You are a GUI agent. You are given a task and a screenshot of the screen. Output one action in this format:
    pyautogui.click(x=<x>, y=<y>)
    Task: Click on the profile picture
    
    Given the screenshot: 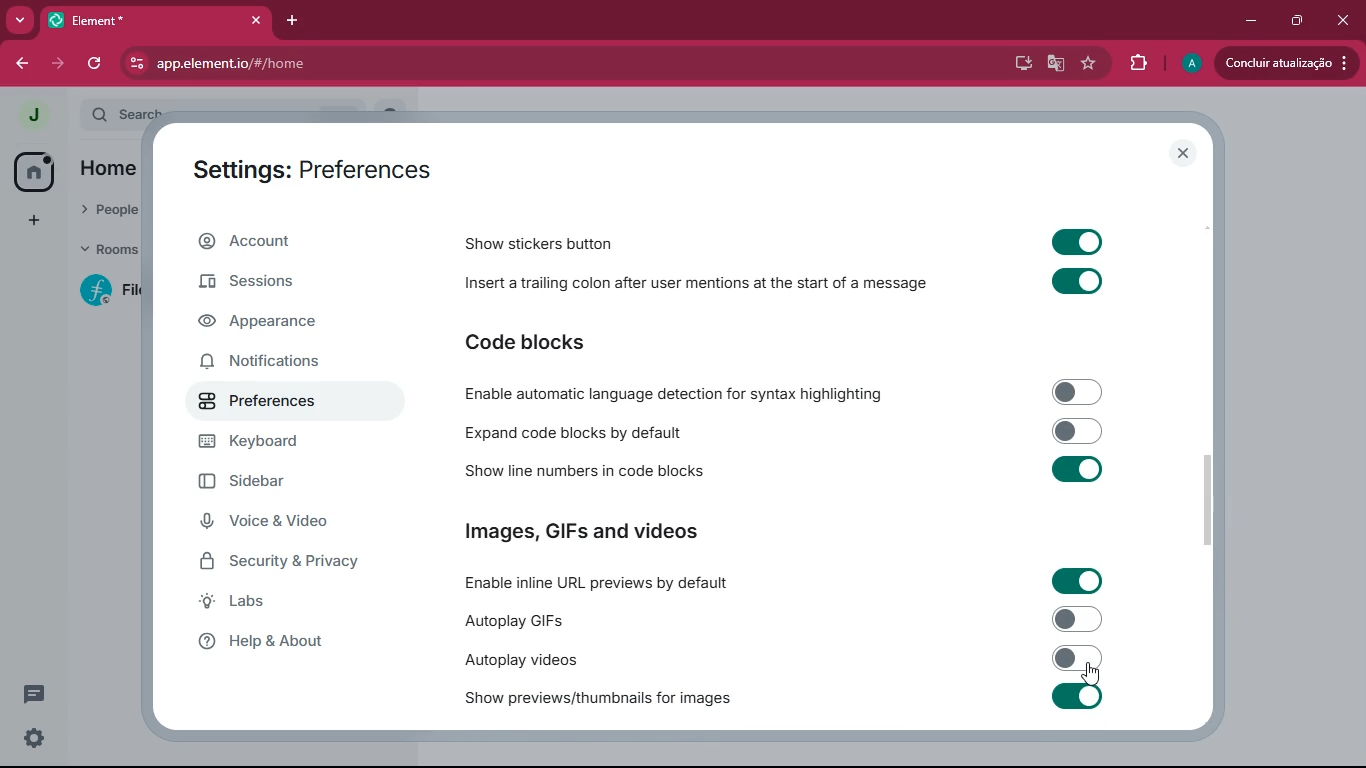 What is the action you would take?
    pyautogui.click(x=1190, y=64)
    